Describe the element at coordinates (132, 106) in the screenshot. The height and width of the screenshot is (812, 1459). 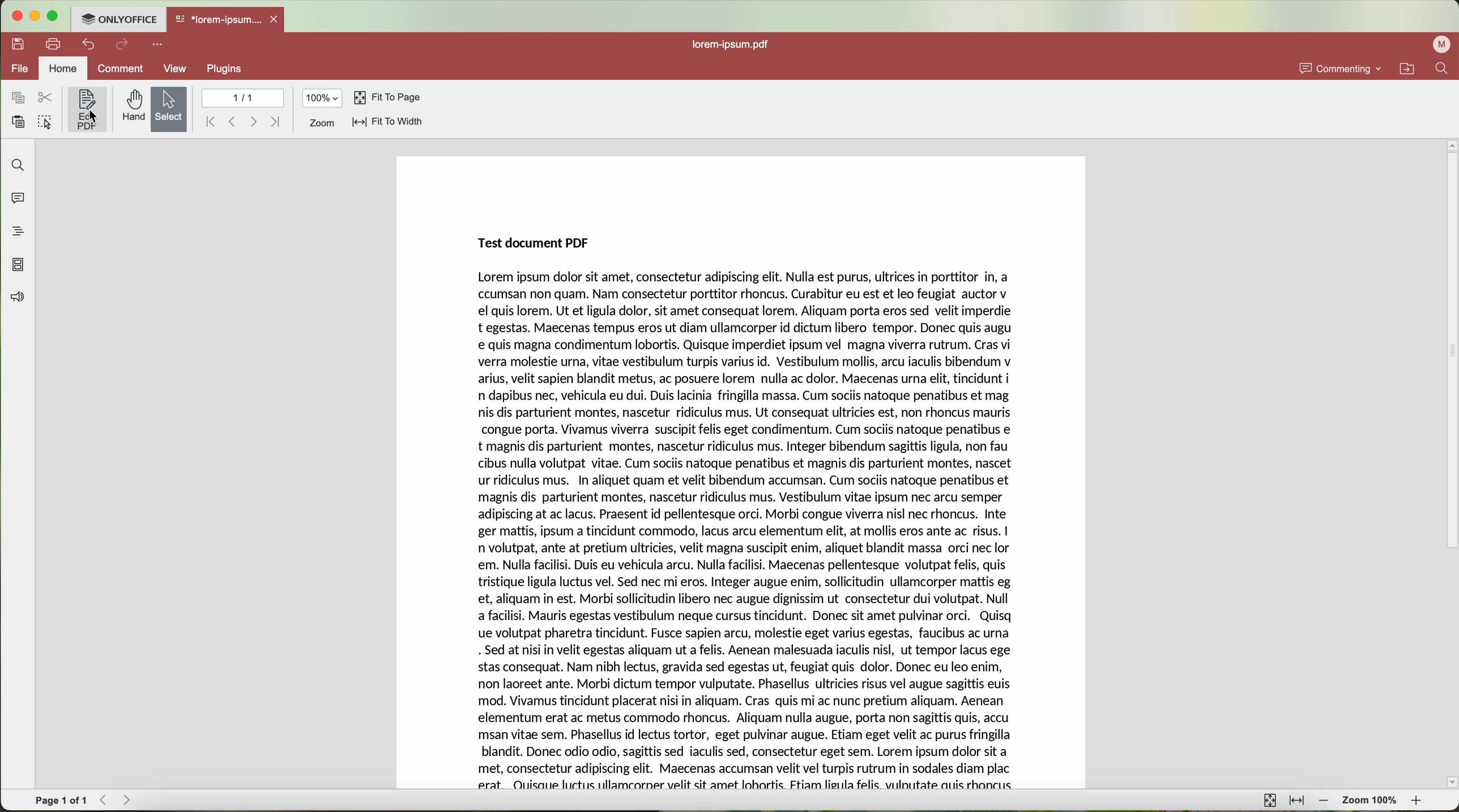
I see `hand` at that location.